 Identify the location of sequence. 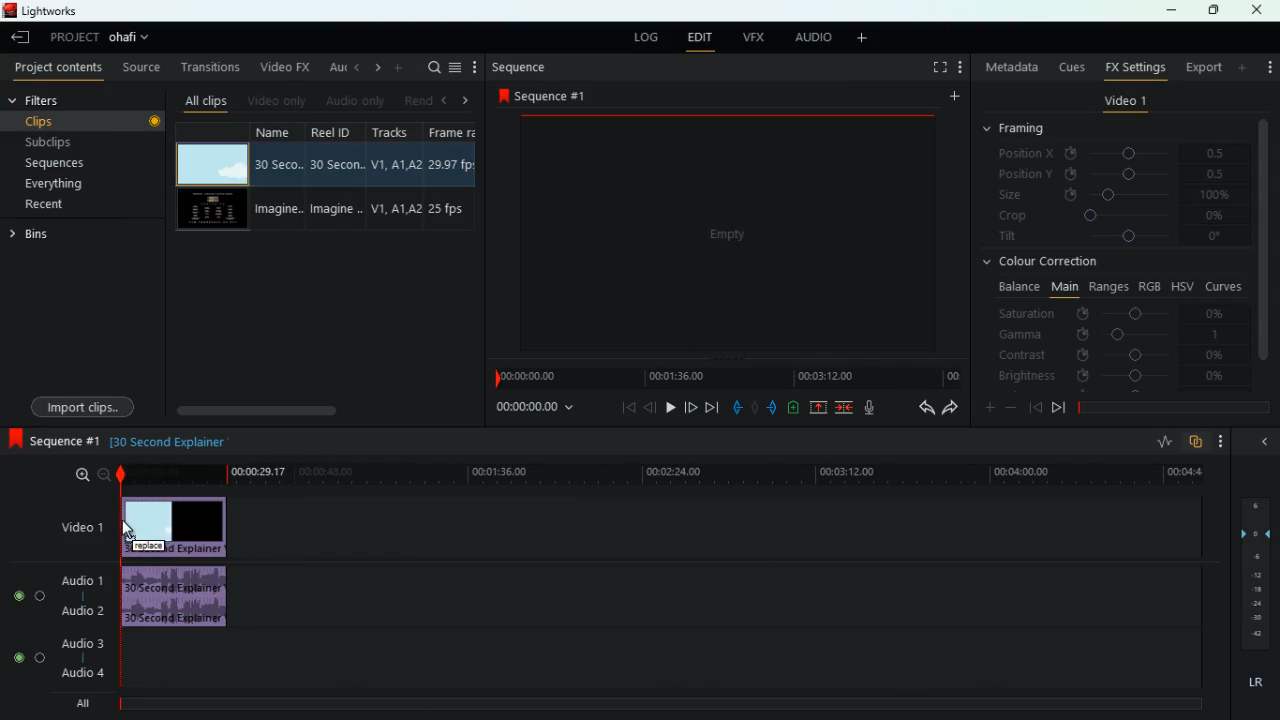
(548, 95).